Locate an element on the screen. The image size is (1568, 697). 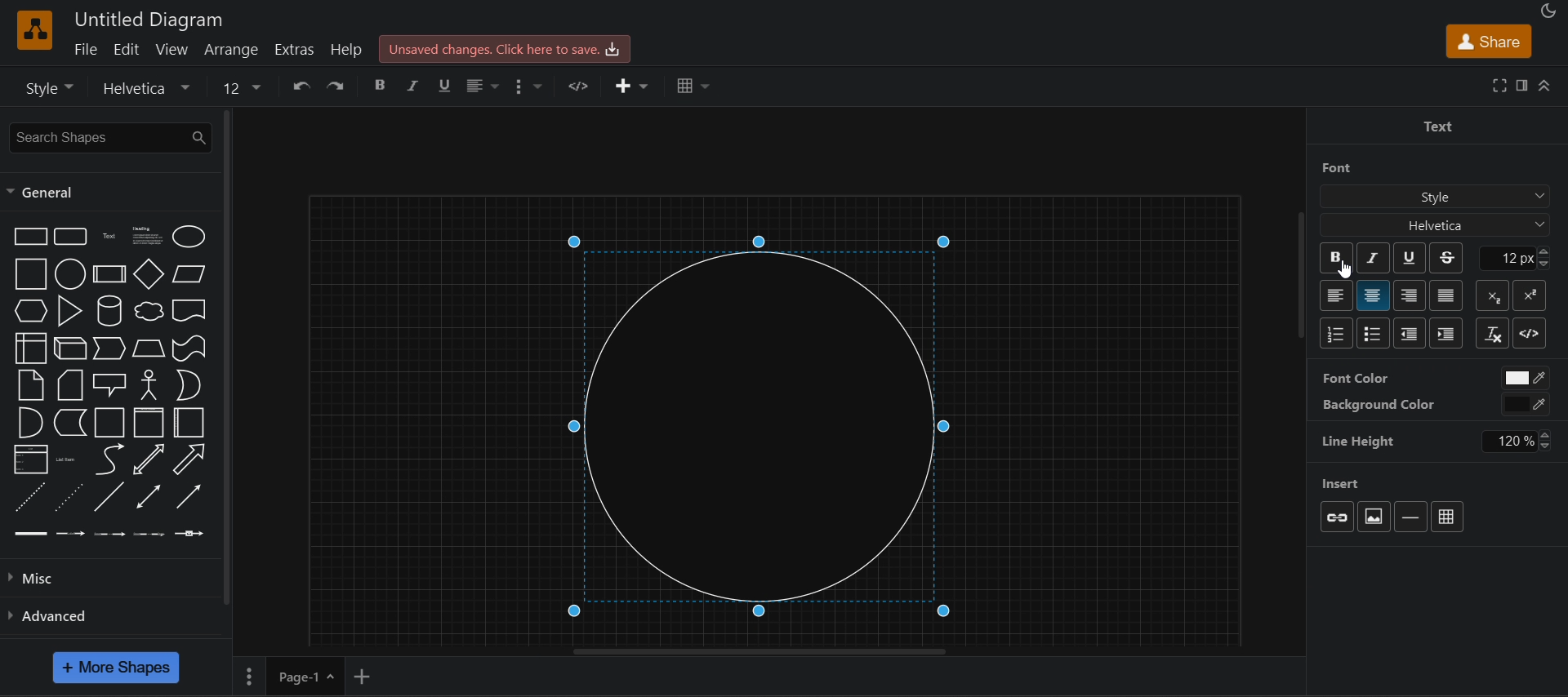
insert is located at coordinates (629, 87).